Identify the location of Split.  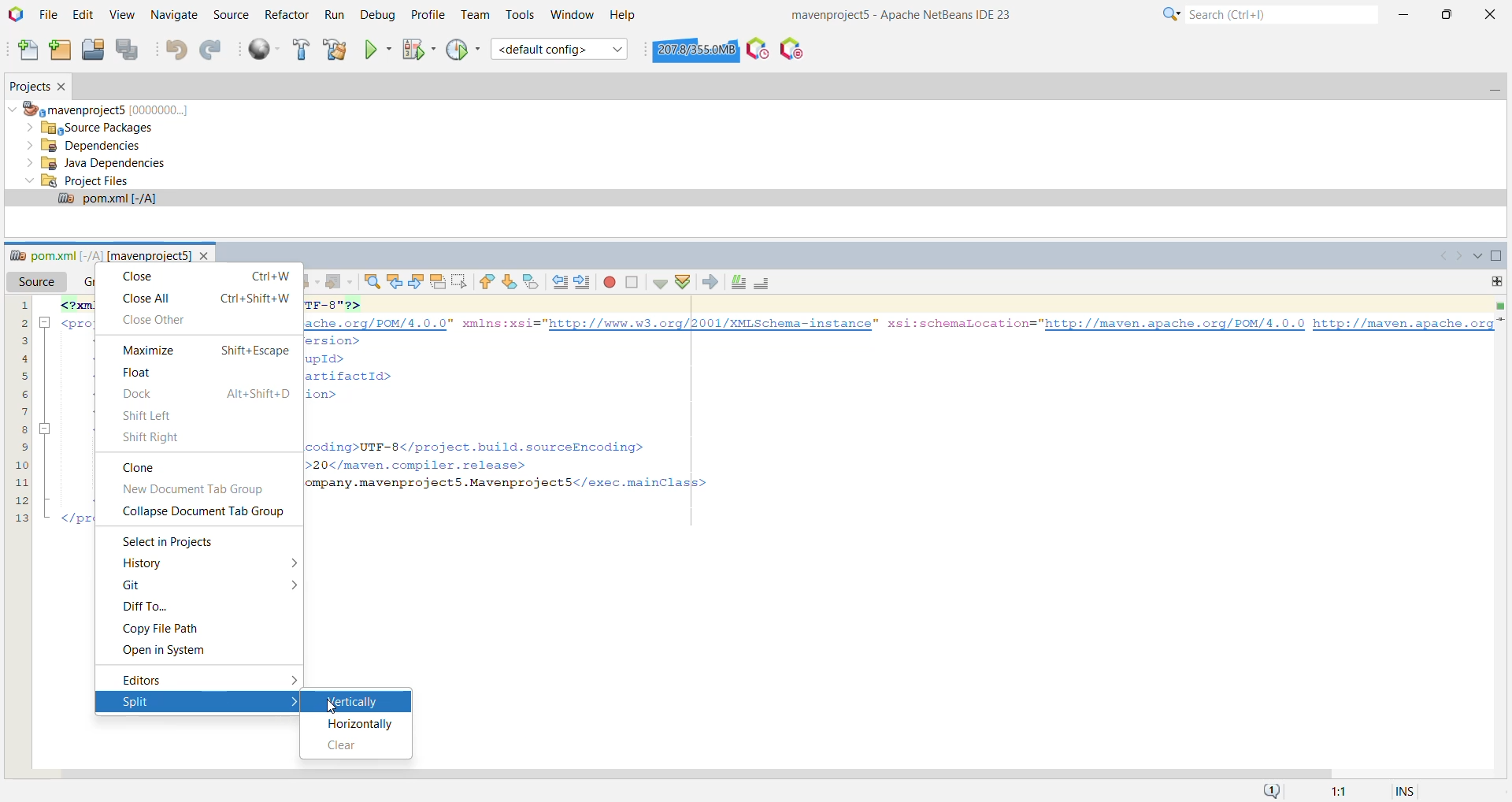
(182, 701).